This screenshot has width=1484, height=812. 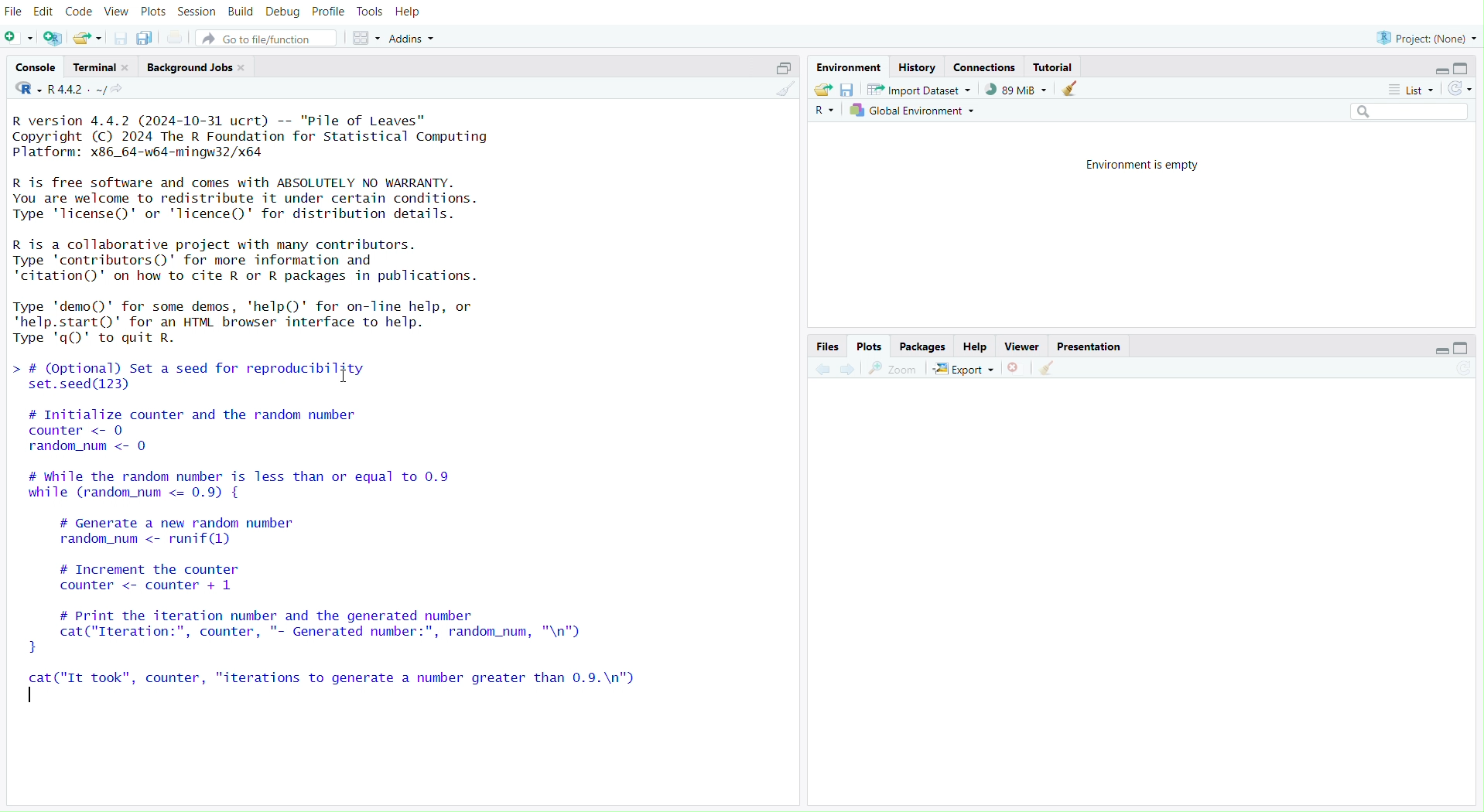 I want to click on R, so click(x=22, y=90).